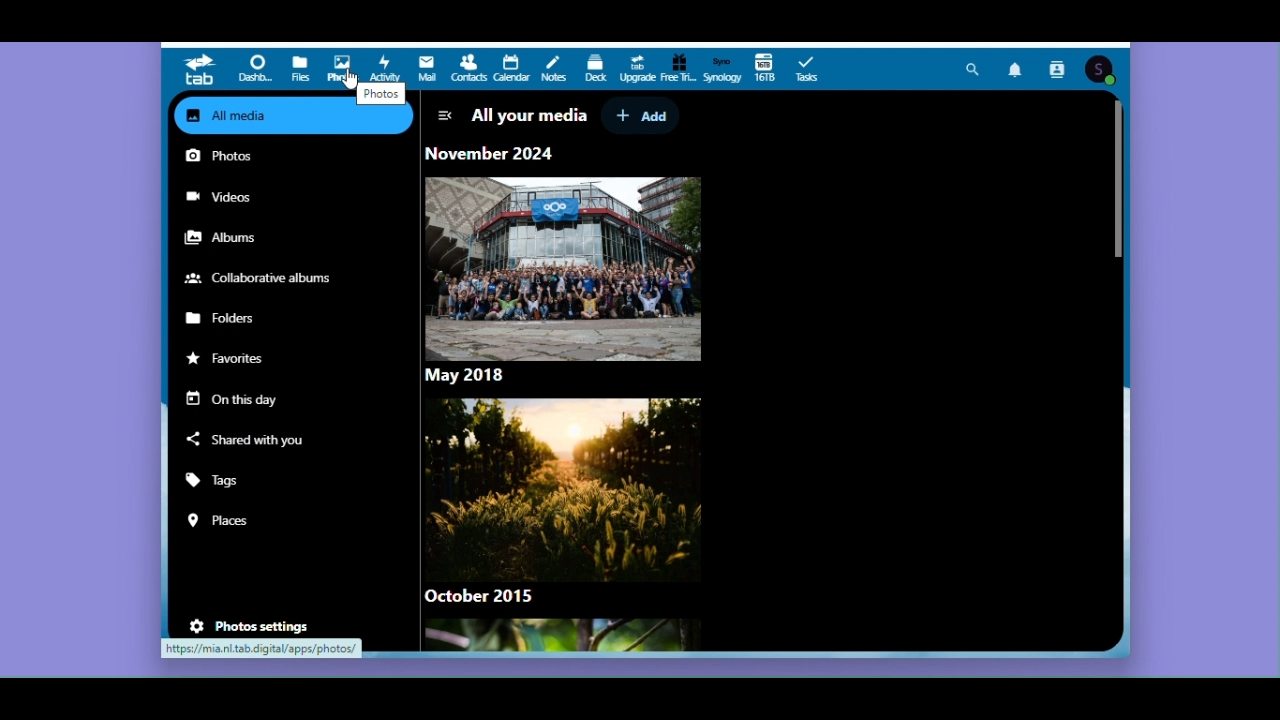  Describe the element at coordinates (527, 114) in the screenshot. I see `All your media` at that location.